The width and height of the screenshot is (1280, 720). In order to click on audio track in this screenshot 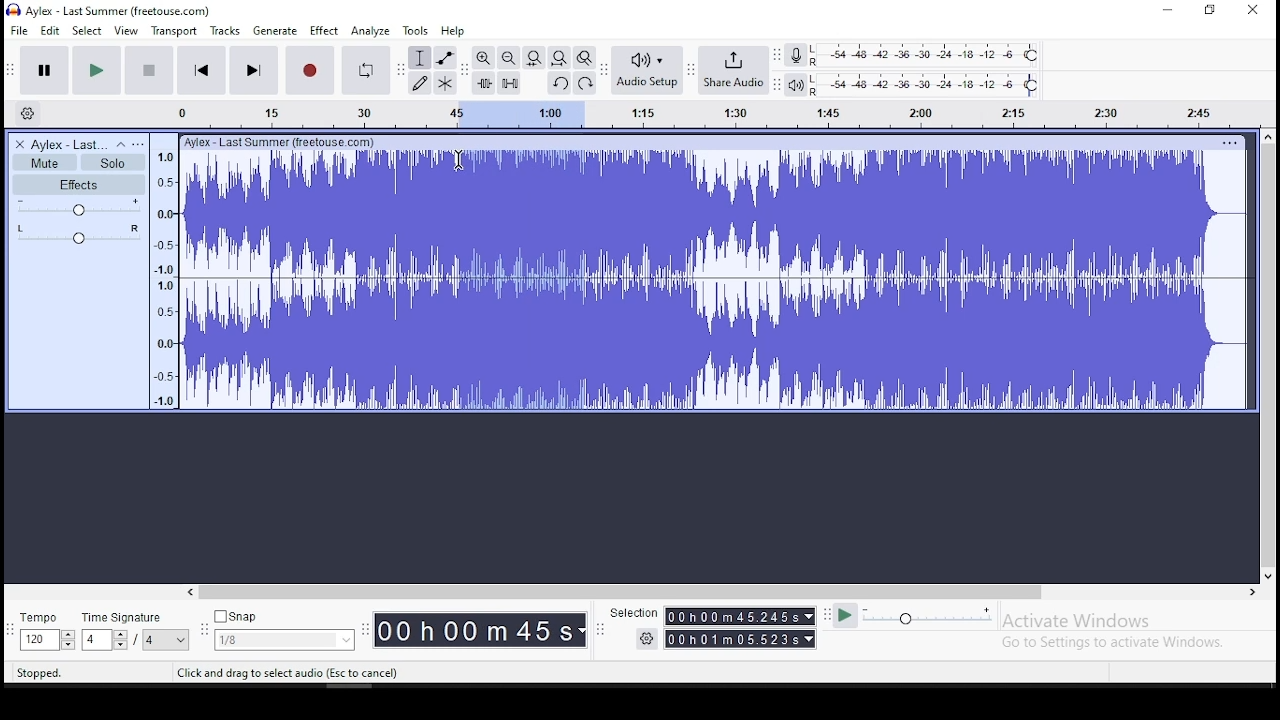, I will do `click(715, 282)`.